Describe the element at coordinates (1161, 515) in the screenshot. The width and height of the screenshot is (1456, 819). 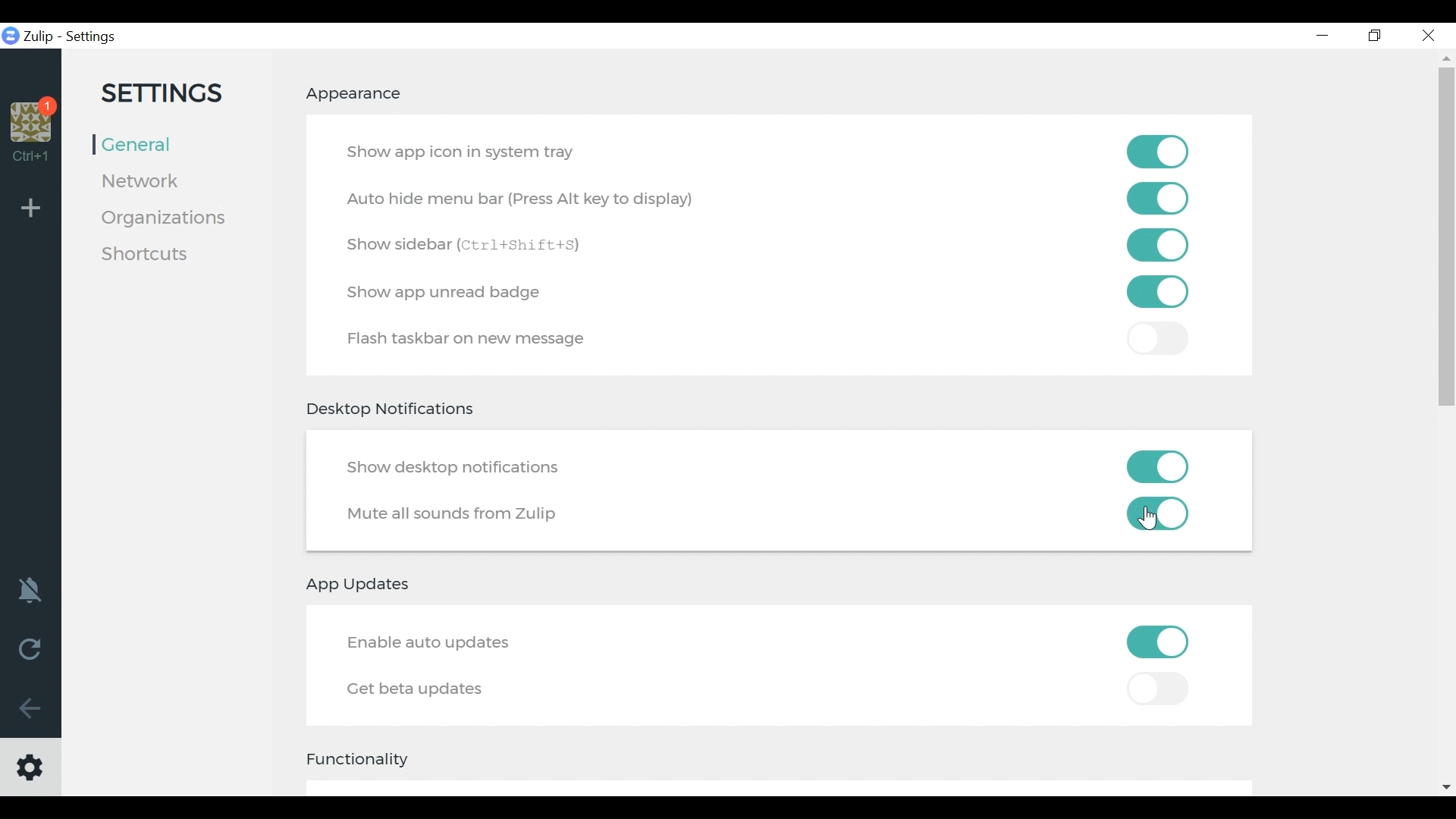
I see `Toggle off mute all sounds from zulip` at that location.